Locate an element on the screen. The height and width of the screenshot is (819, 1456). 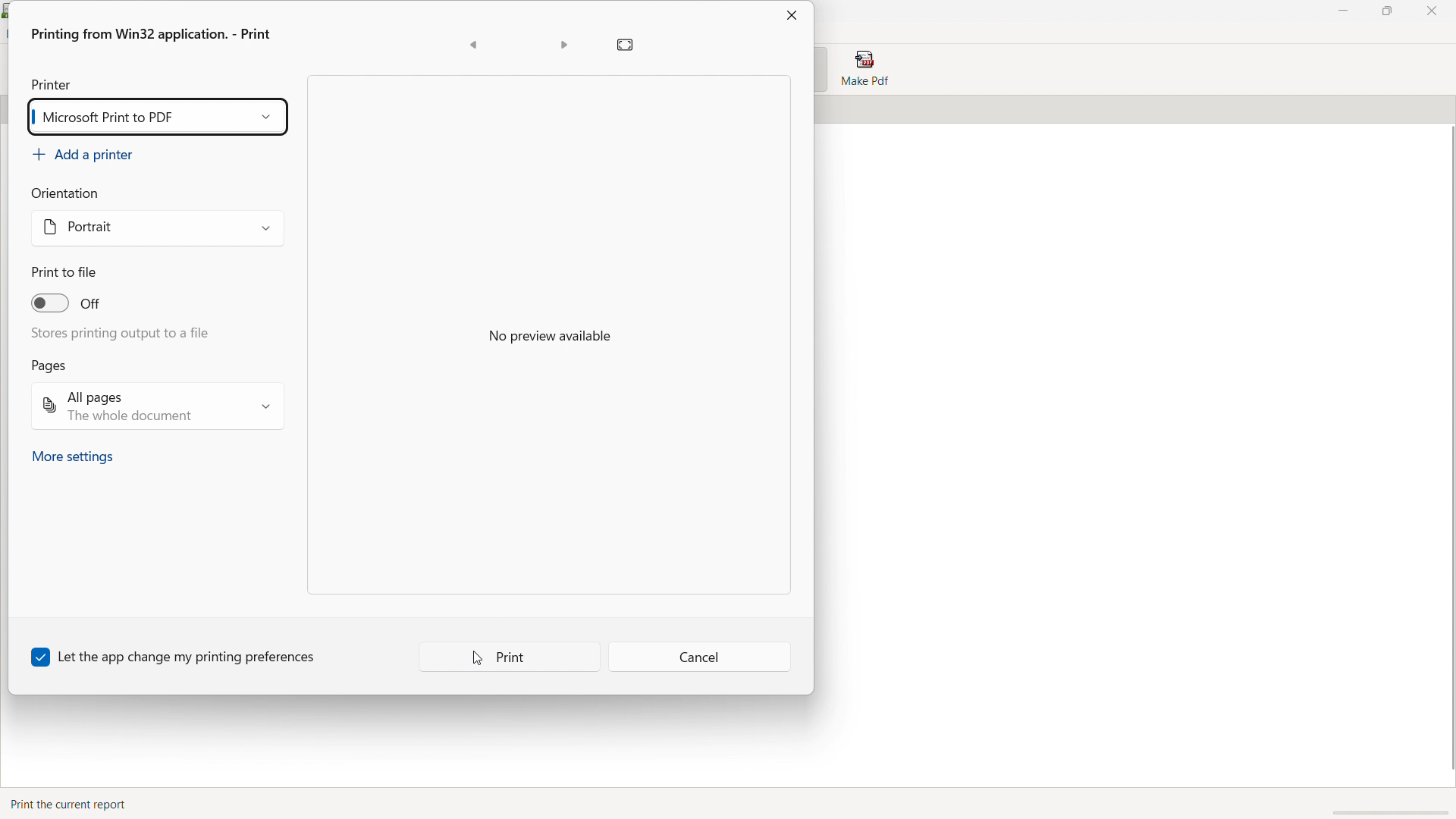
cancel is located at coordinates (700, 658).